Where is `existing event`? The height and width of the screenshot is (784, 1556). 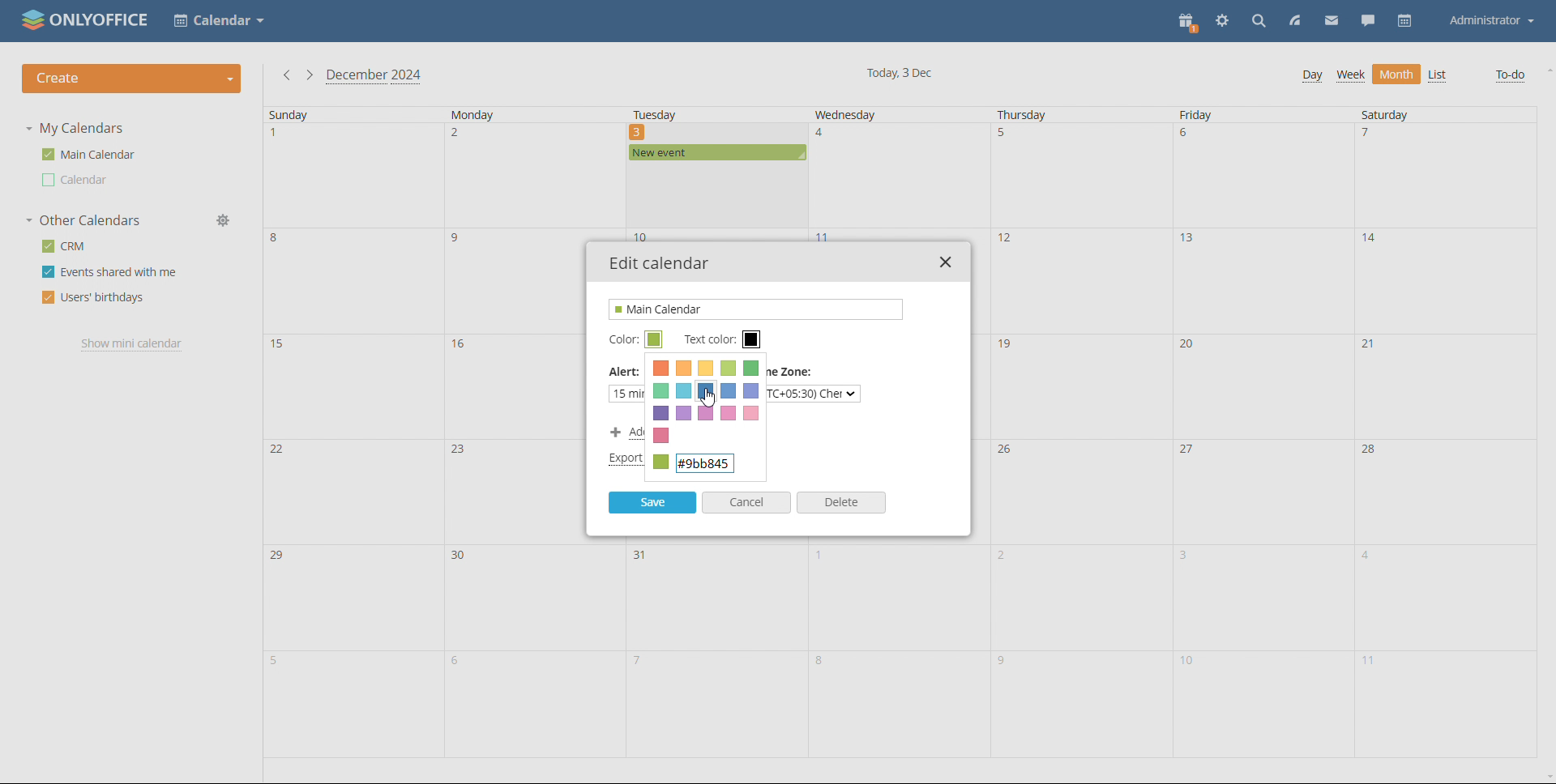
existing event is located at coordinates (717, 153).